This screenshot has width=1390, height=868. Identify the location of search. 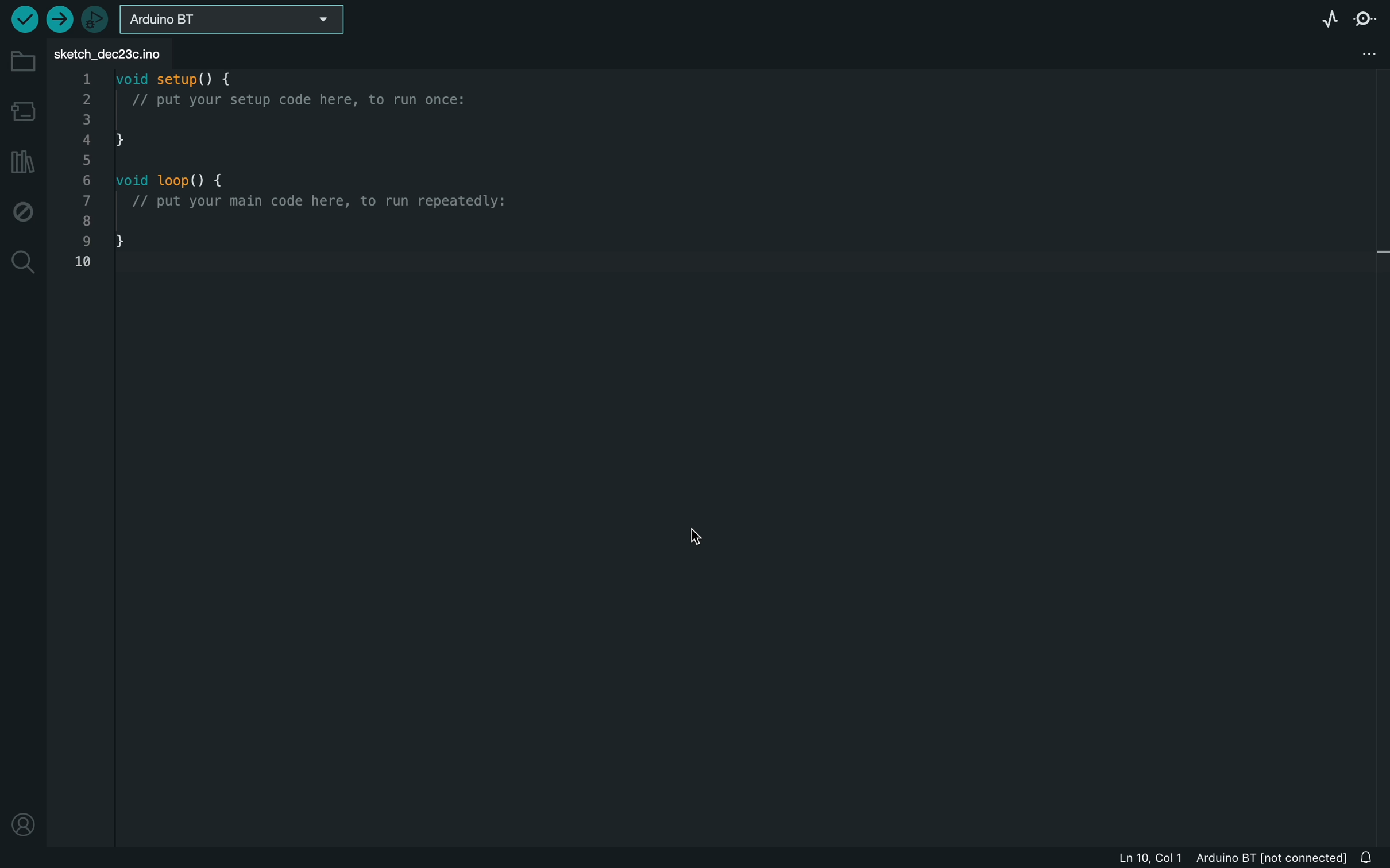
(25, 261).